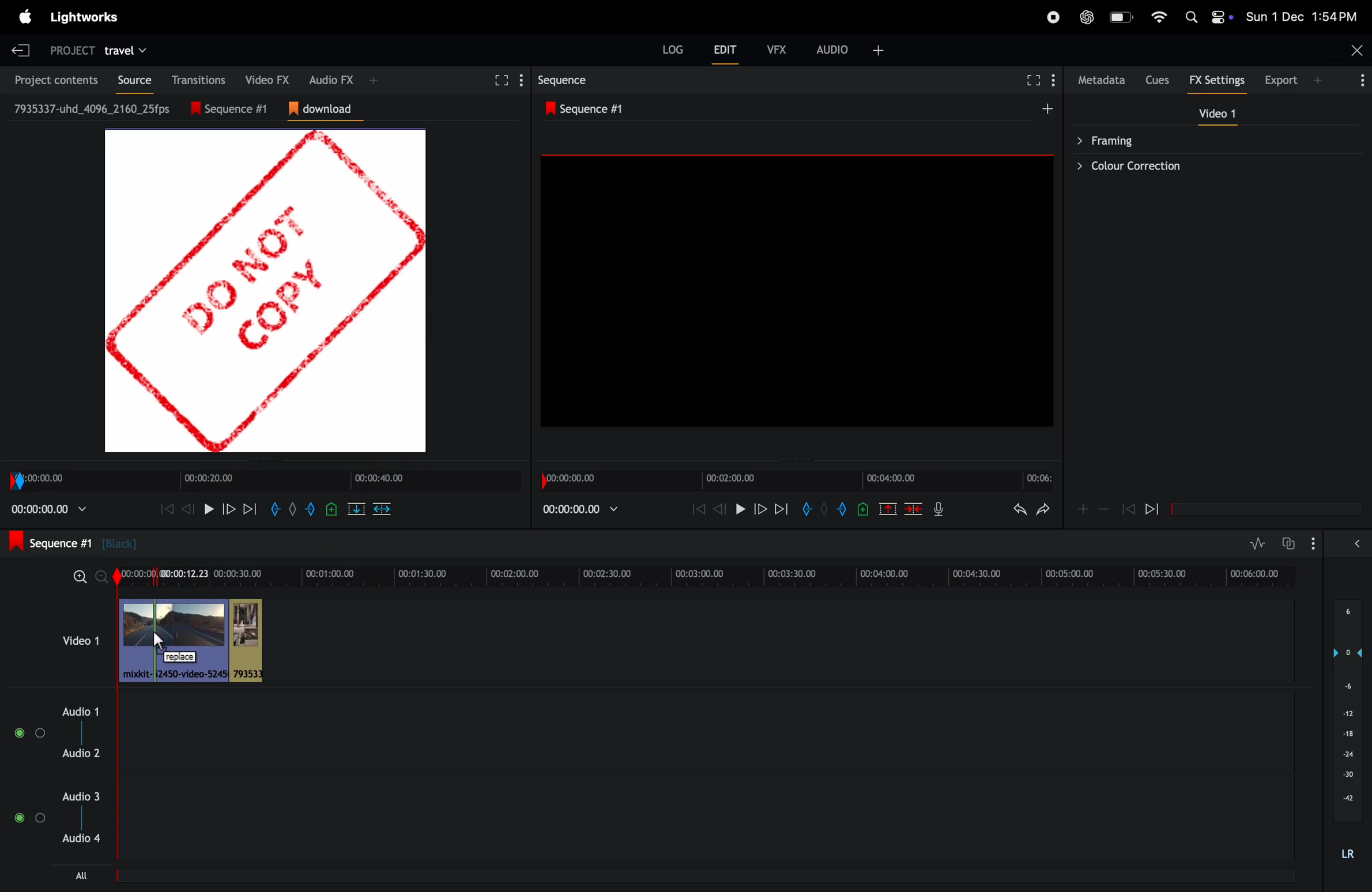  What do you see at coordinates (159, 641) in the screenshot?
I see `Cursor` at bounding box center [159, 641].